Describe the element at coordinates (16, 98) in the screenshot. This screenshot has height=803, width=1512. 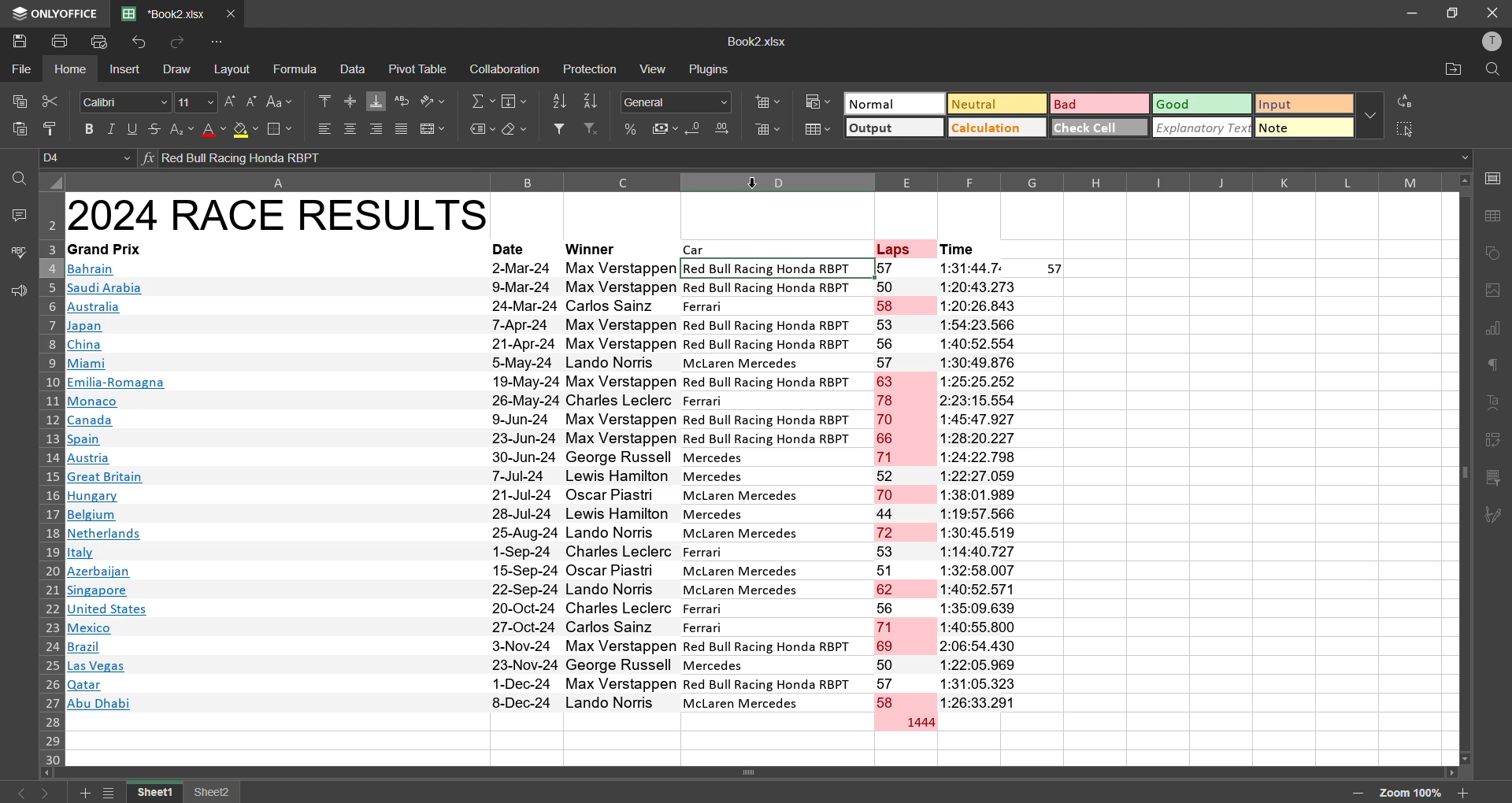
I see `copy` at that location.